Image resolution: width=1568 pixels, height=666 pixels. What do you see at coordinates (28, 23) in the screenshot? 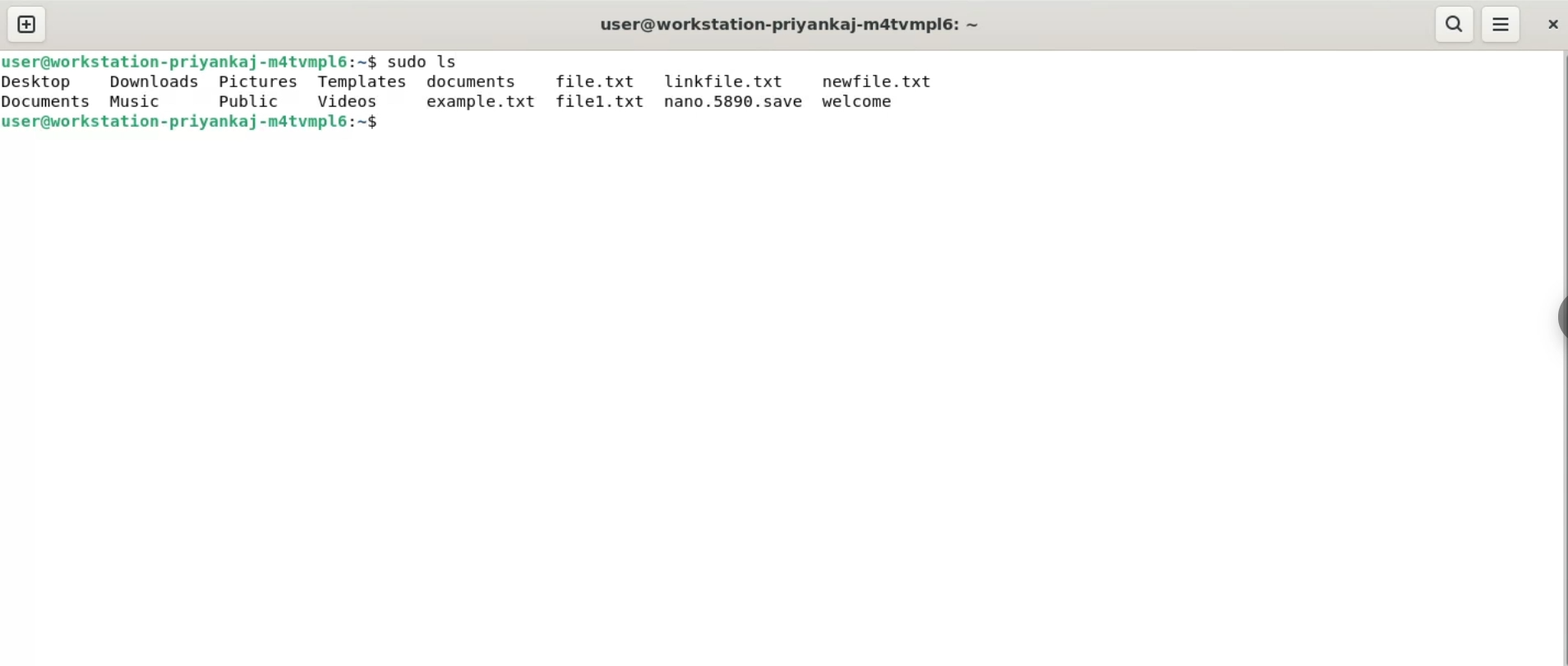
I see `new tab` at bounding box center [28, 23].